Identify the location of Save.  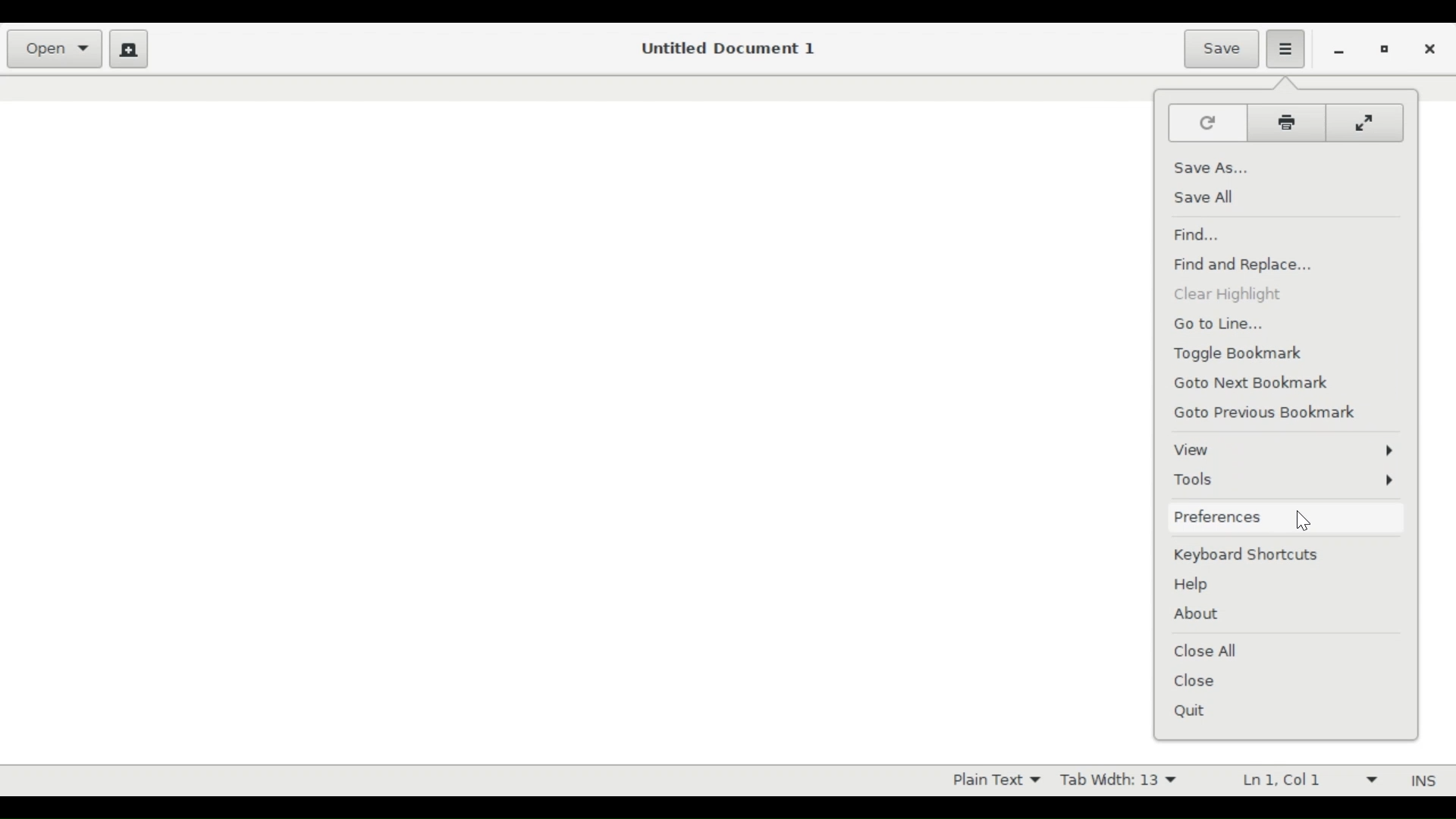
(1220, 49).